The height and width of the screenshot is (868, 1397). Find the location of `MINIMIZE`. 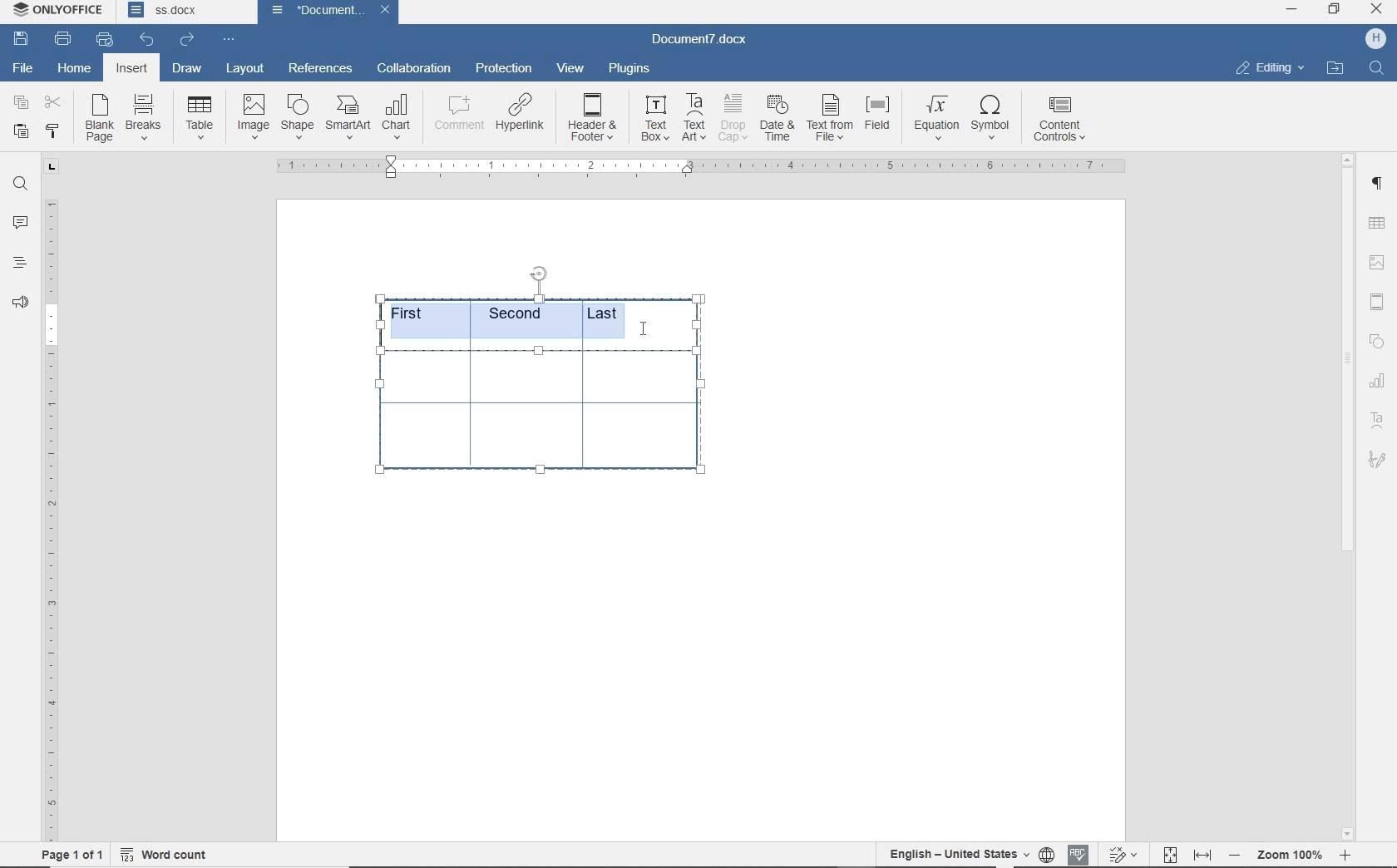

MINIMIZE is located at coordinates (1293, 9).